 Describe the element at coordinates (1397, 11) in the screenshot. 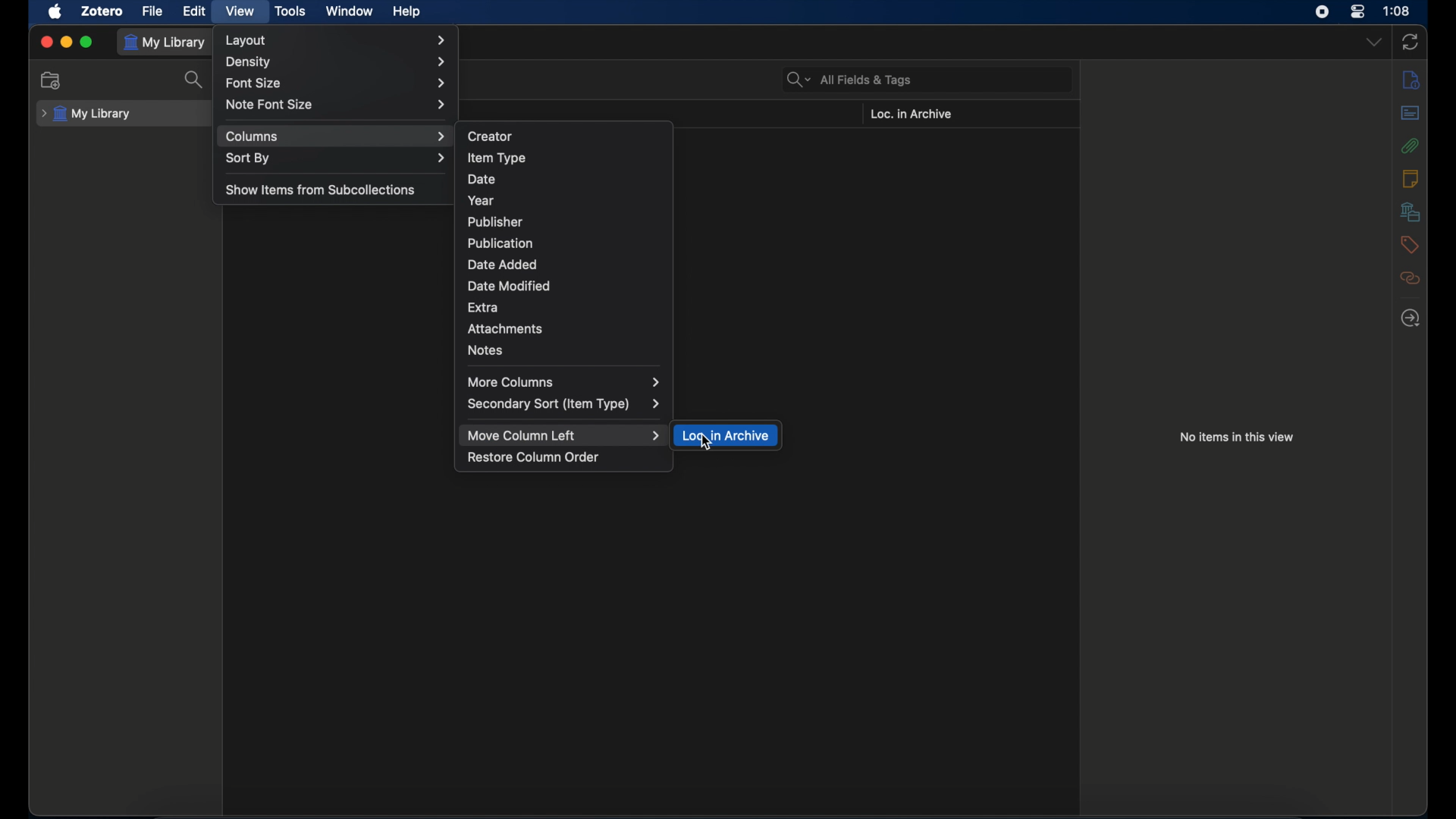

I see `time` at that location.